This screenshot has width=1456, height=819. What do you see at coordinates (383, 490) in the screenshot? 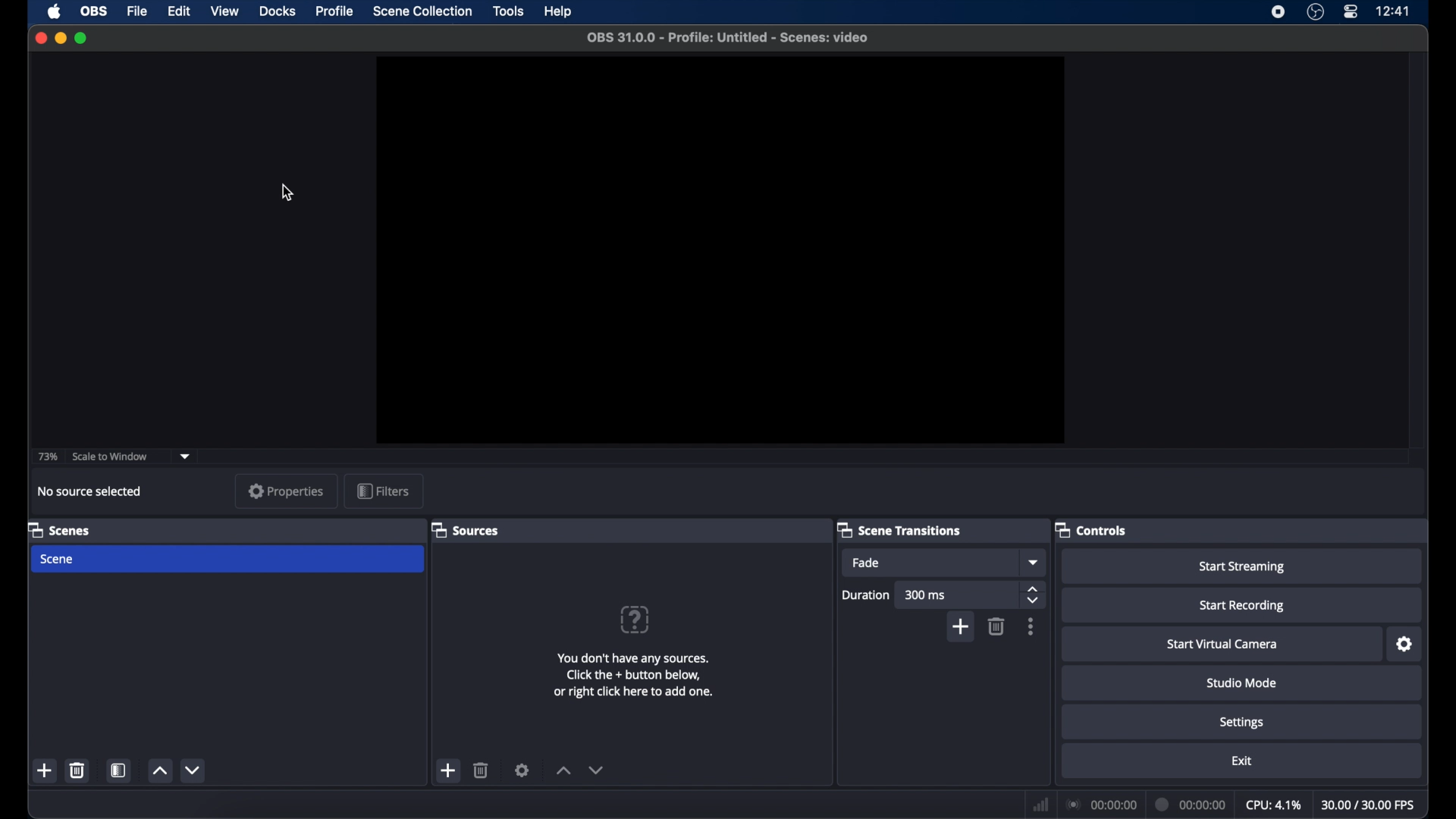
I see `filters` at bounding box center [383, 490].